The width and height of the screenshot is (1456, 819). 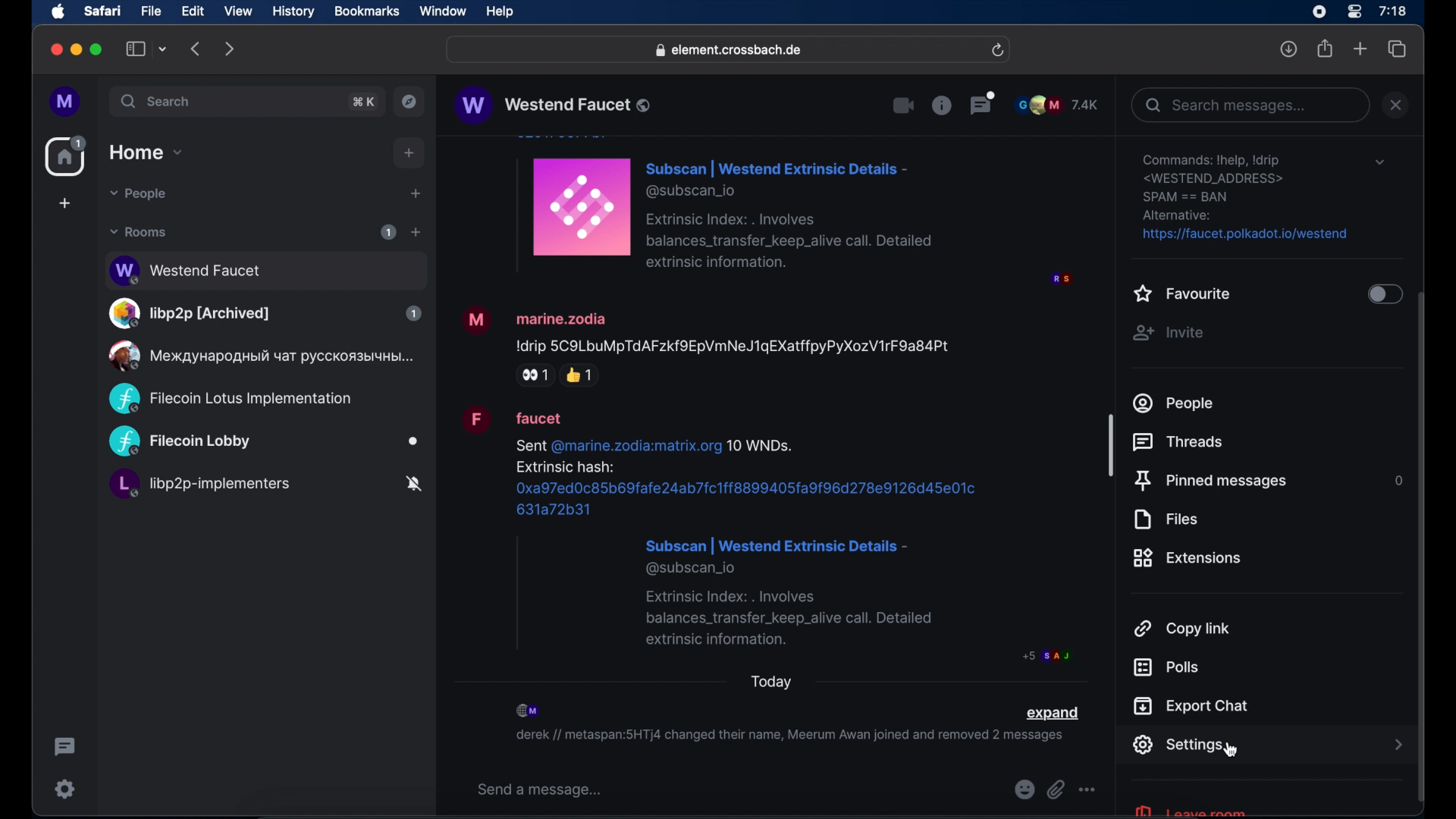 What do you see at coordinates (1052, 714) in the screenshot?
I see `expand` at bounding box center [1052, 714].